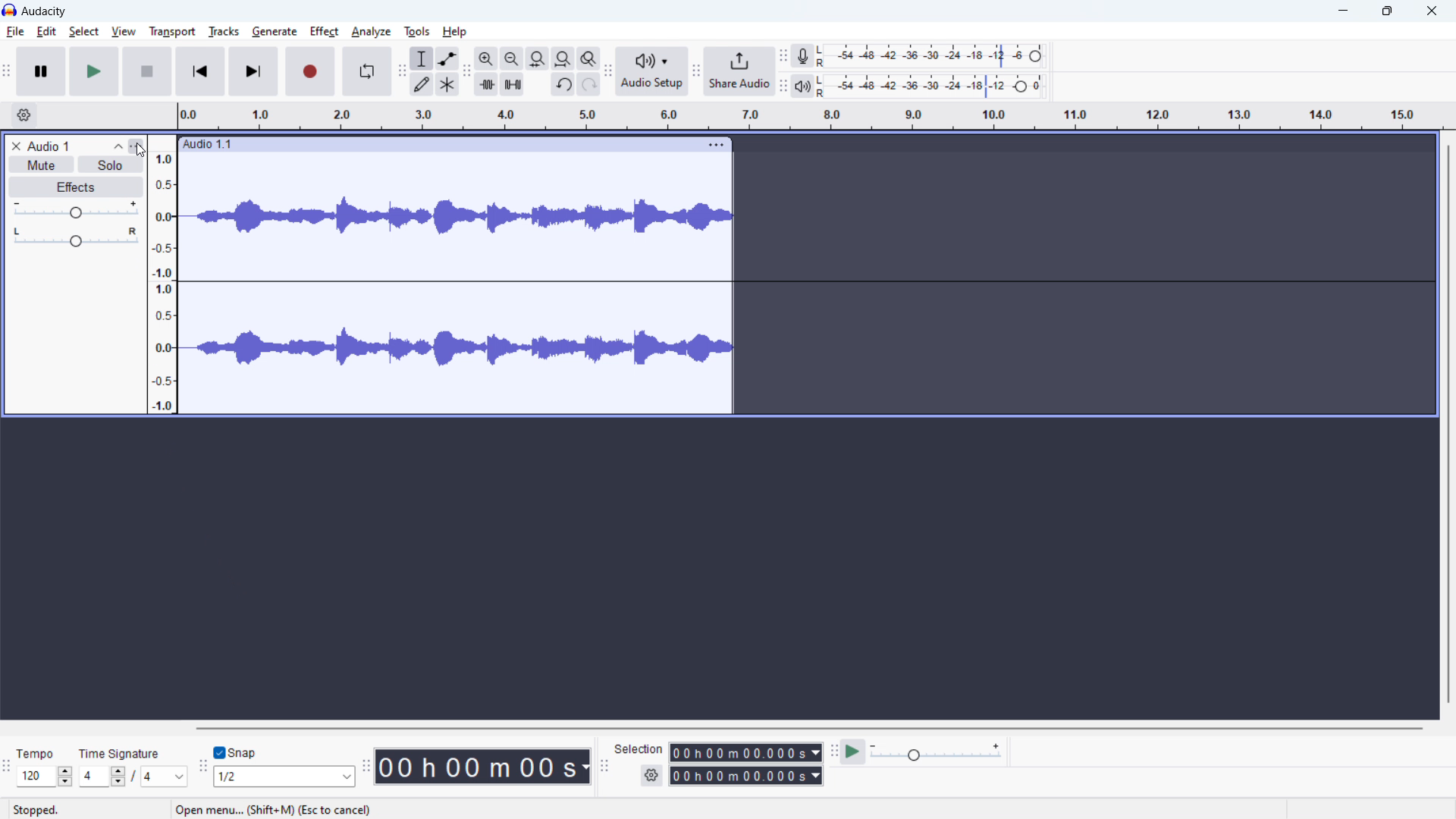  I want to click on transport toolbar, so click(6, 72).